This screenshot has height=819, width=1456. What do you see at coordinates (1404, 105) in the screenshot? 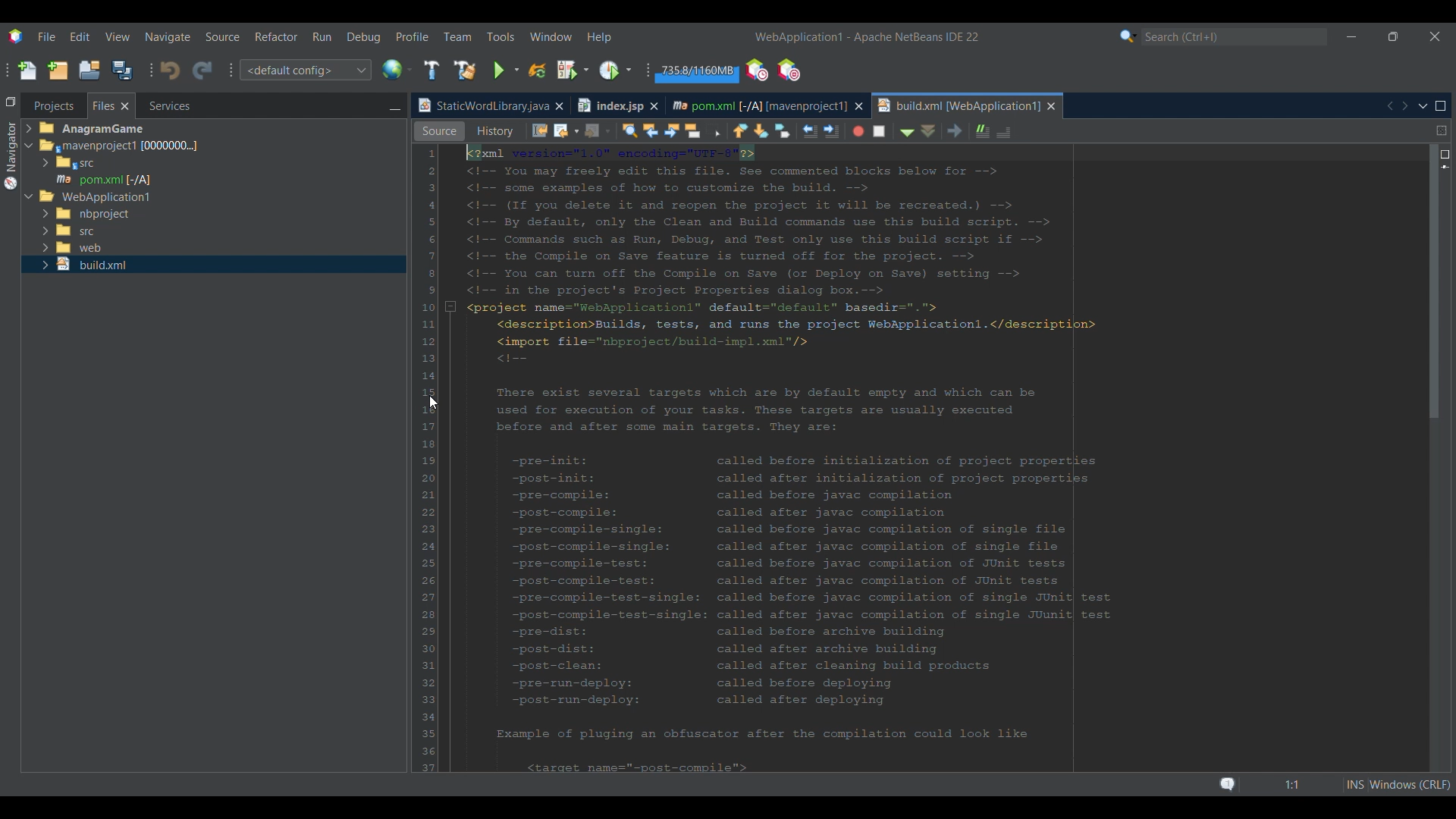
I see `Next` at bounding box center [1404, 105].